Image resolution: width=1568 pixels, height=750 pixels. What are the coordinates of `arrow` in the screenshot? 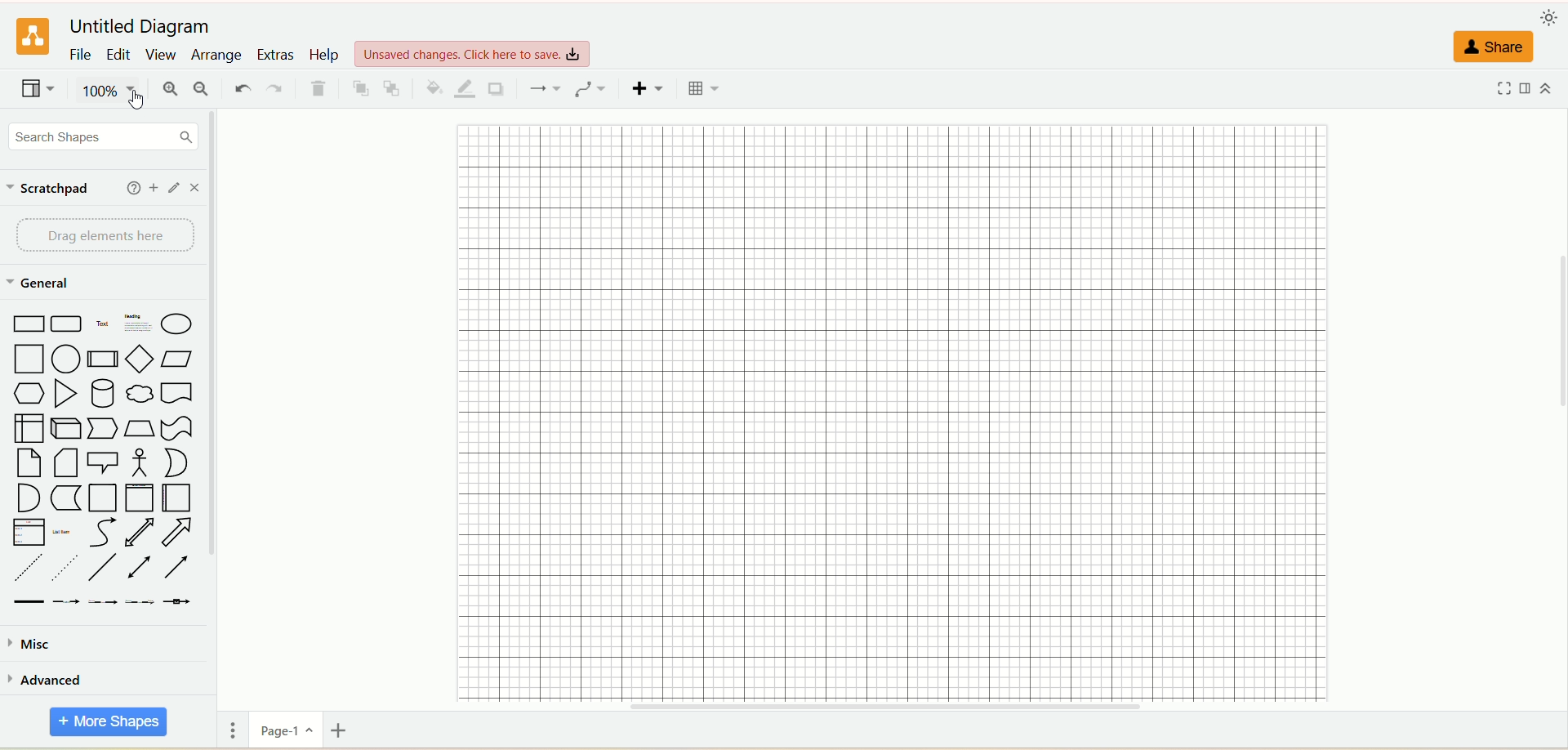 It's located at (178, 532).